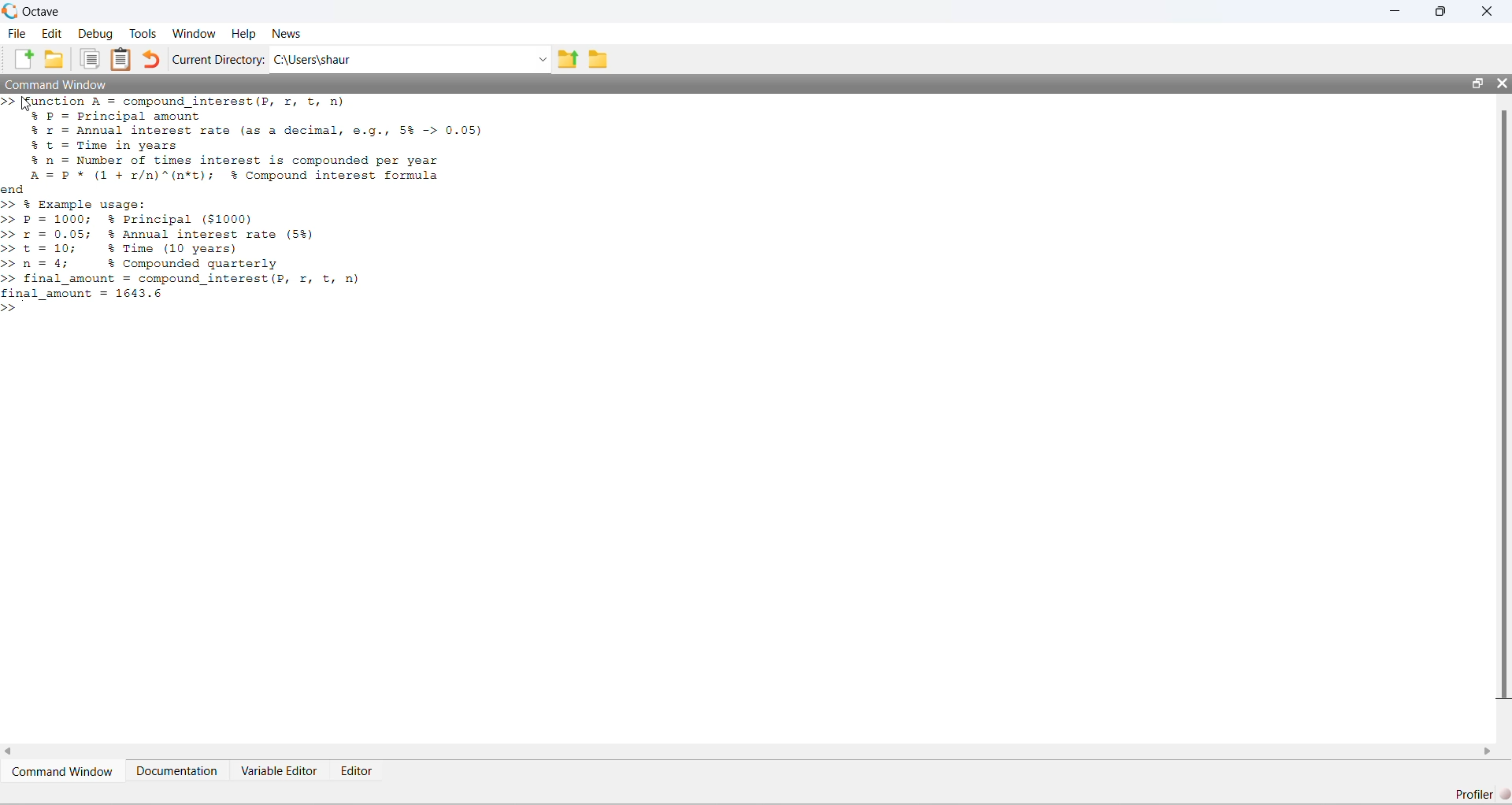 Image resolution: width=1512 pixels, height=805 pixels. What do you see at coordinates (11, 751) in the screenshot?
I see `scroll left` at bounding box center [11, 751].